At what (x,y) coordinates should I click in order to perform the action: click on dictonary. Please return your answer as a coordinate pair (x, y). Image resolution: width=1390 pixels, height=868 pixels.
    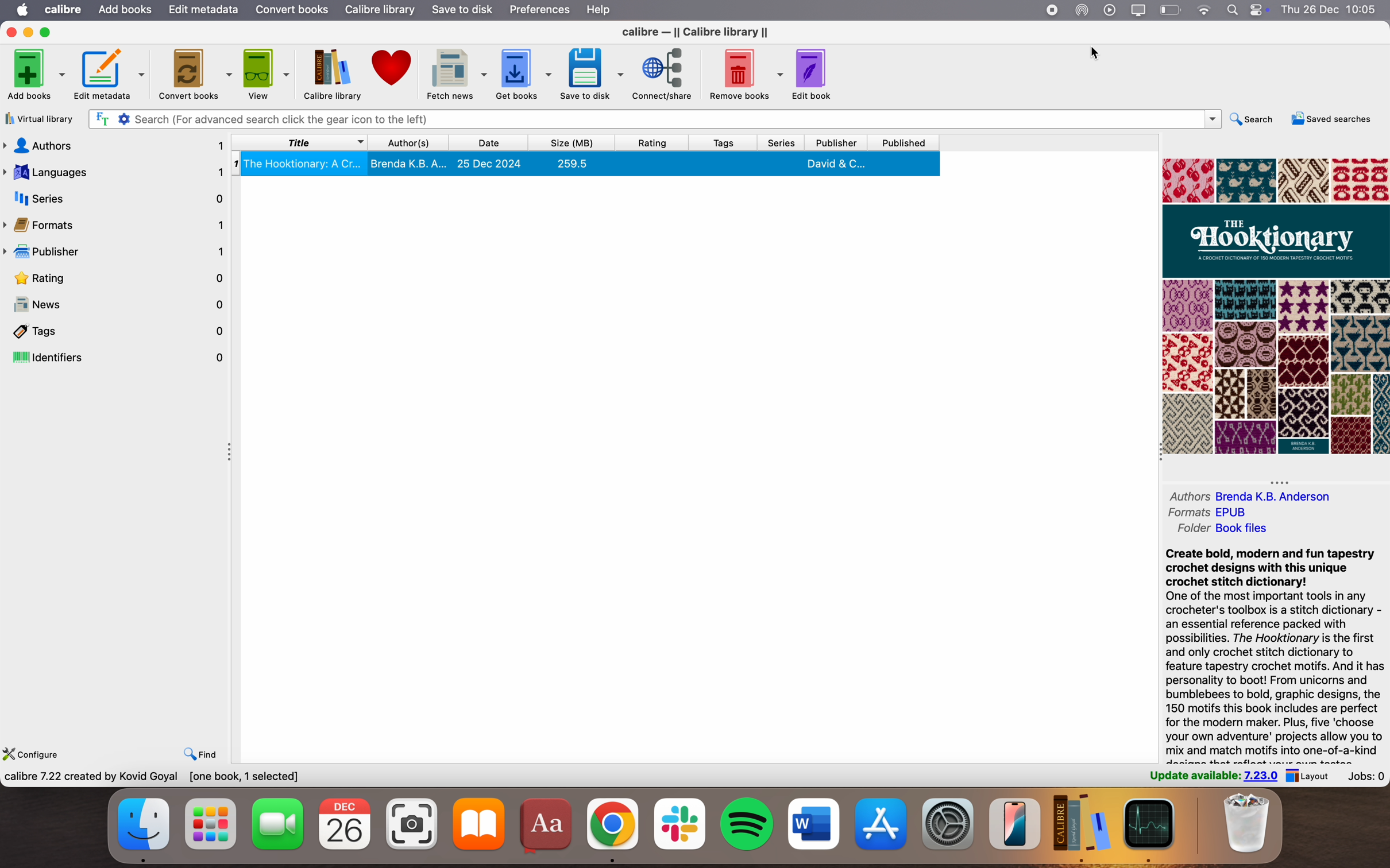
    Looking at the image, I should click on (547, 824).